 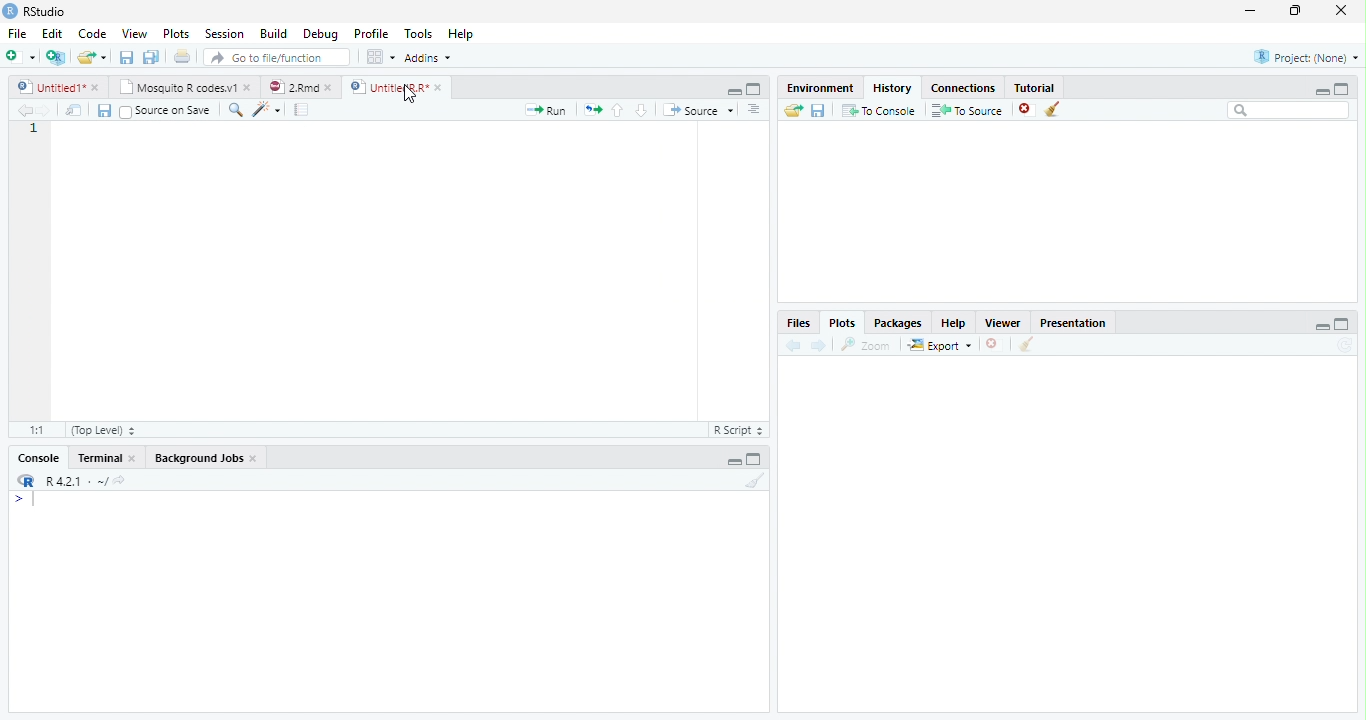 What do you see at coordinates (418, 32) in the screenshot?
I see `Tools` at bounding box center [418, 32].